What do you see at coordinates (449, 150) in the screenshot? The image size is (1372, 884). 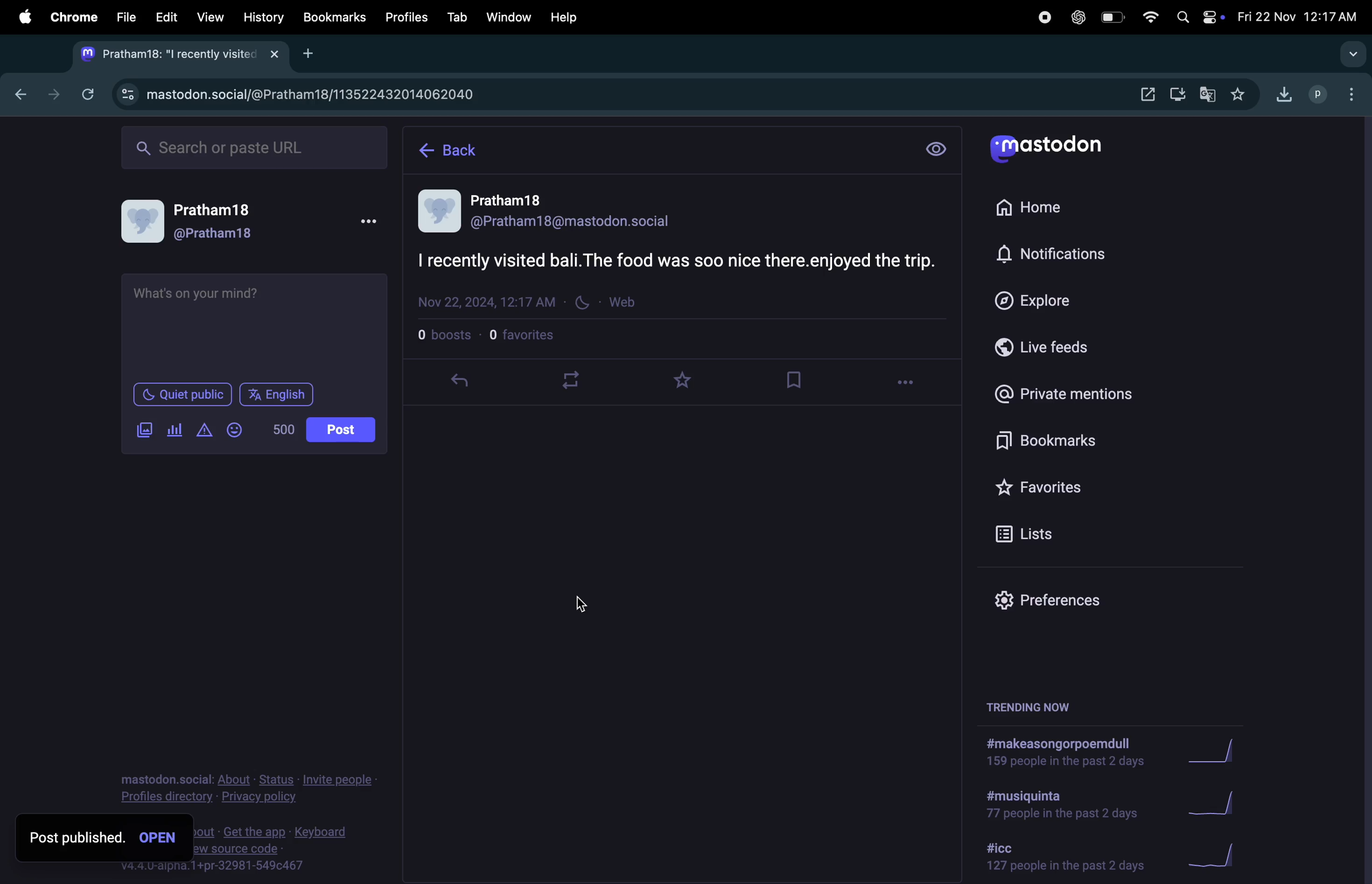 I see `home` at bounding box center [449, 150].